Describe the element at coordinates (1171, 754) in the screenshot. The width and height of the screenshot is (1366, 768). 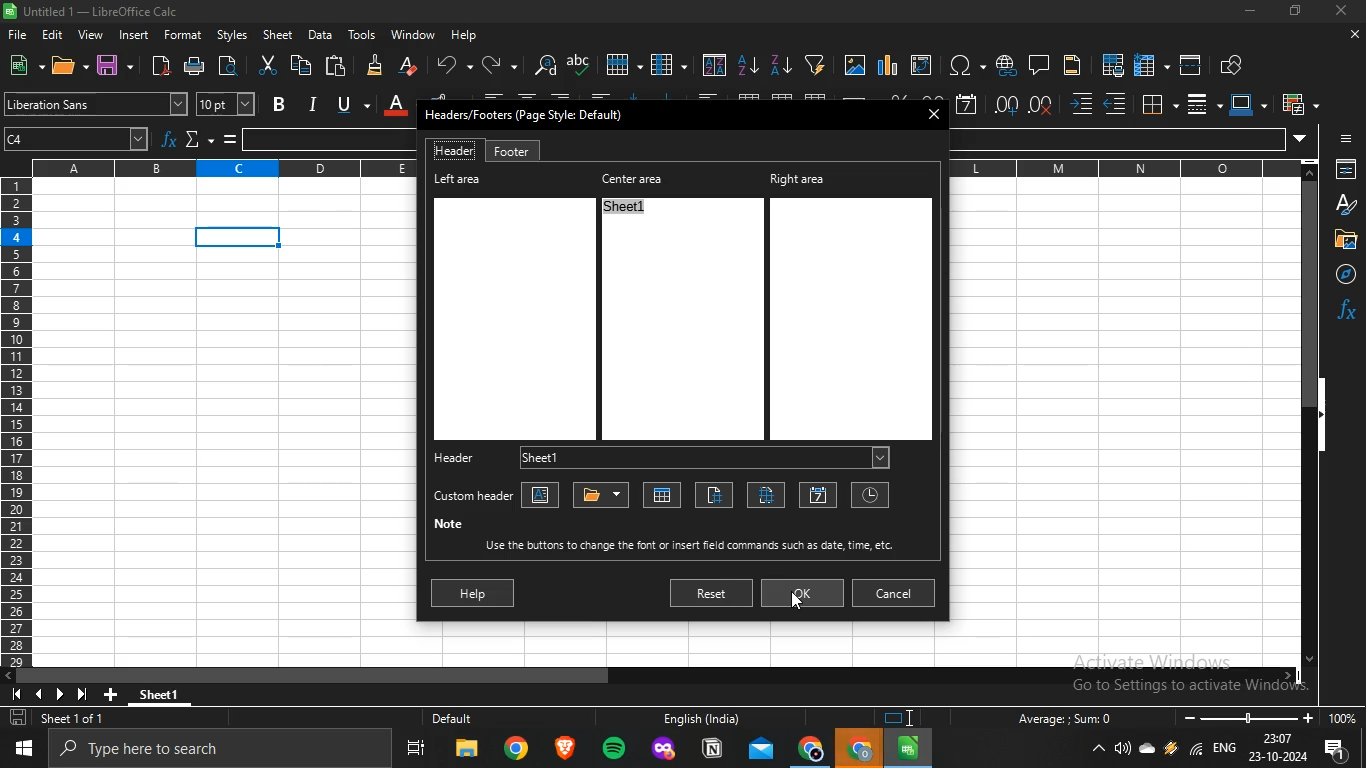
I see `winamp agent` at that location.